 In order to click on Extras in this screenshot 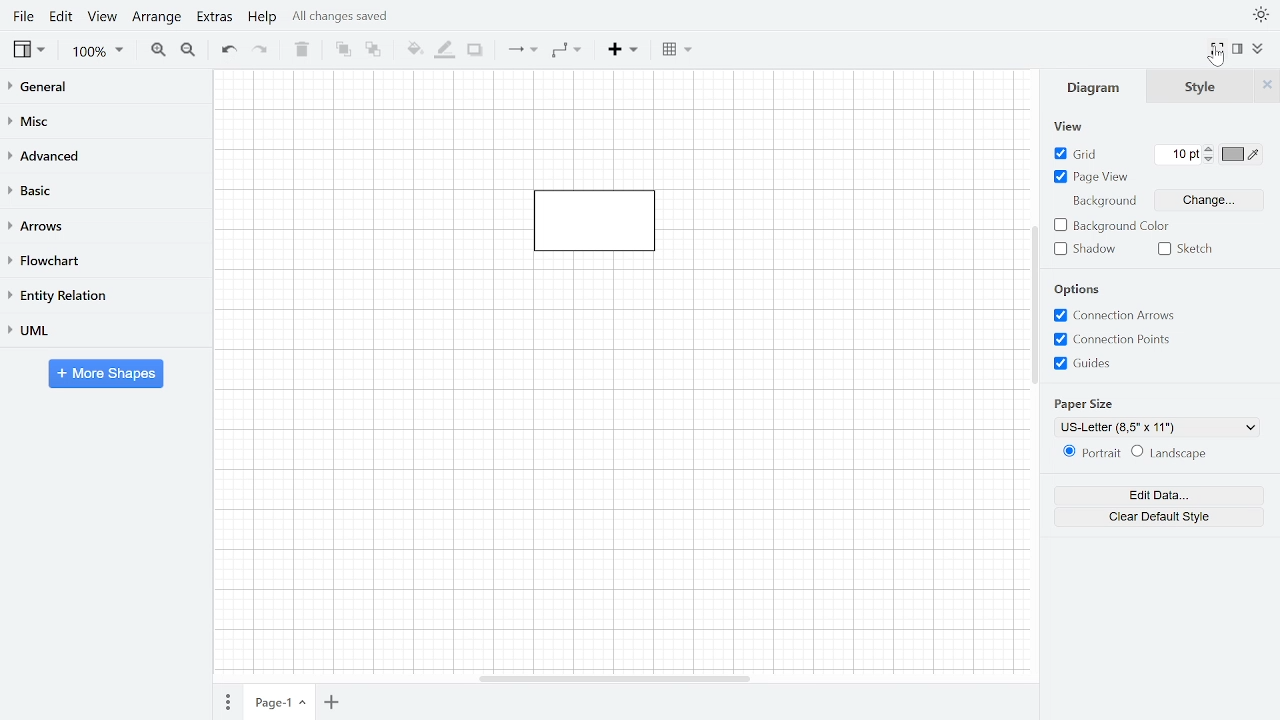, I will do `click(216, 19)`.